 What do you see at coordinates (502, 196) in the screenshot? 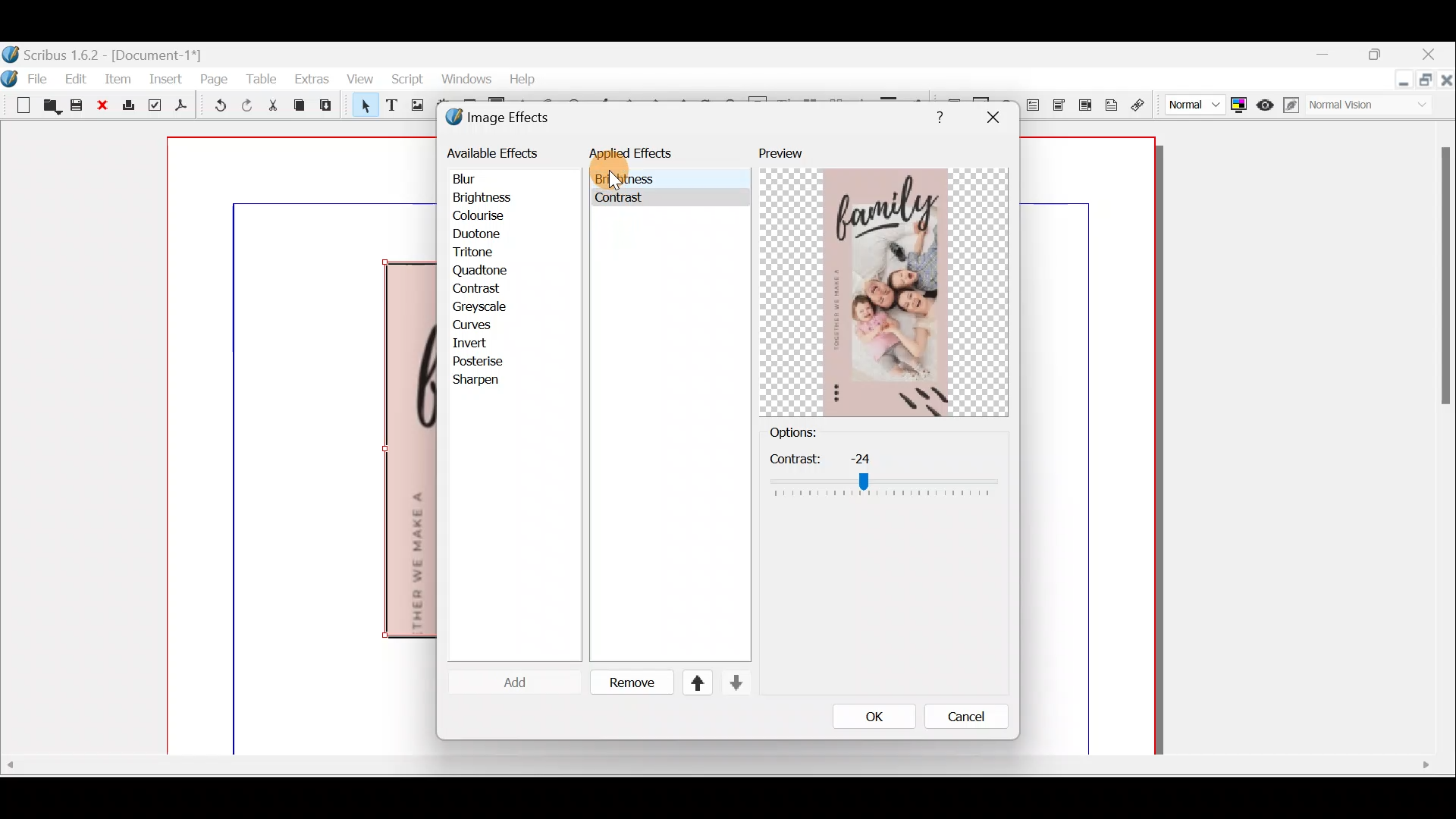
I see `Brightness` at bounding box center [502, 196].